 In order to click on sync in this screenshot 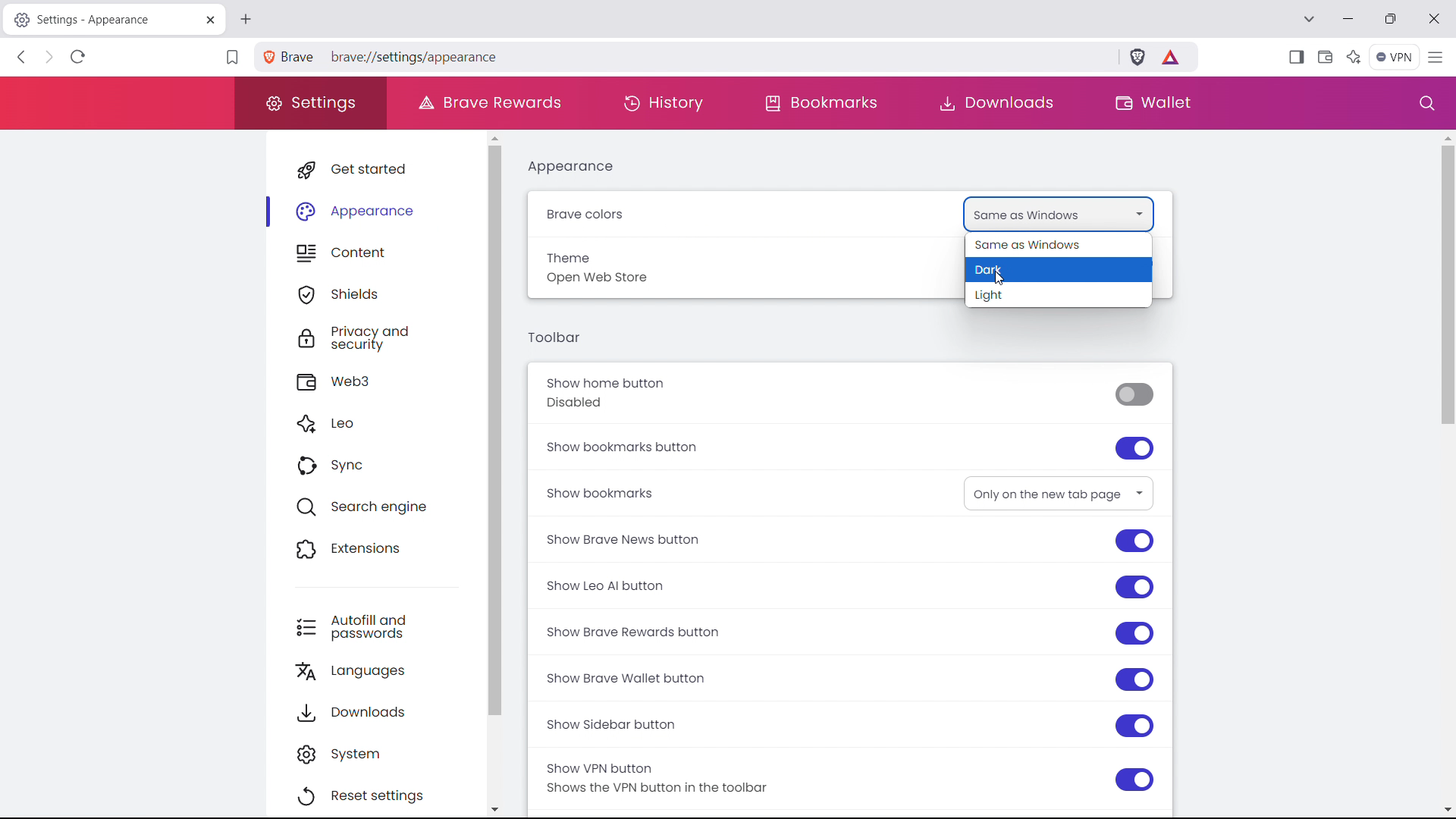, I will do `click(384, 465)`.